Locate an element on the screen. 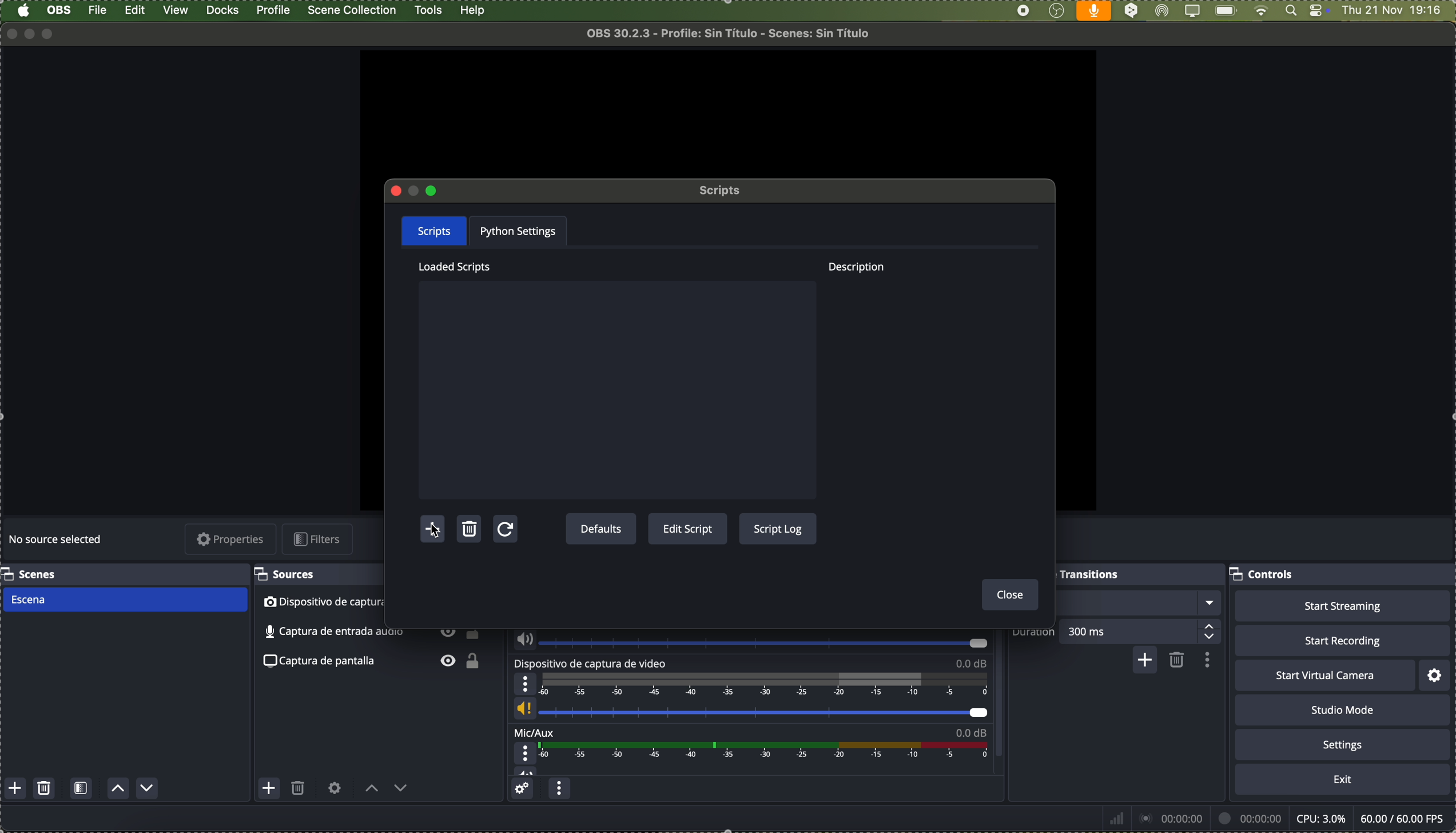 The width and height of the screenshot is (1456, 833). wifi is located at coordinates (1261, 11).